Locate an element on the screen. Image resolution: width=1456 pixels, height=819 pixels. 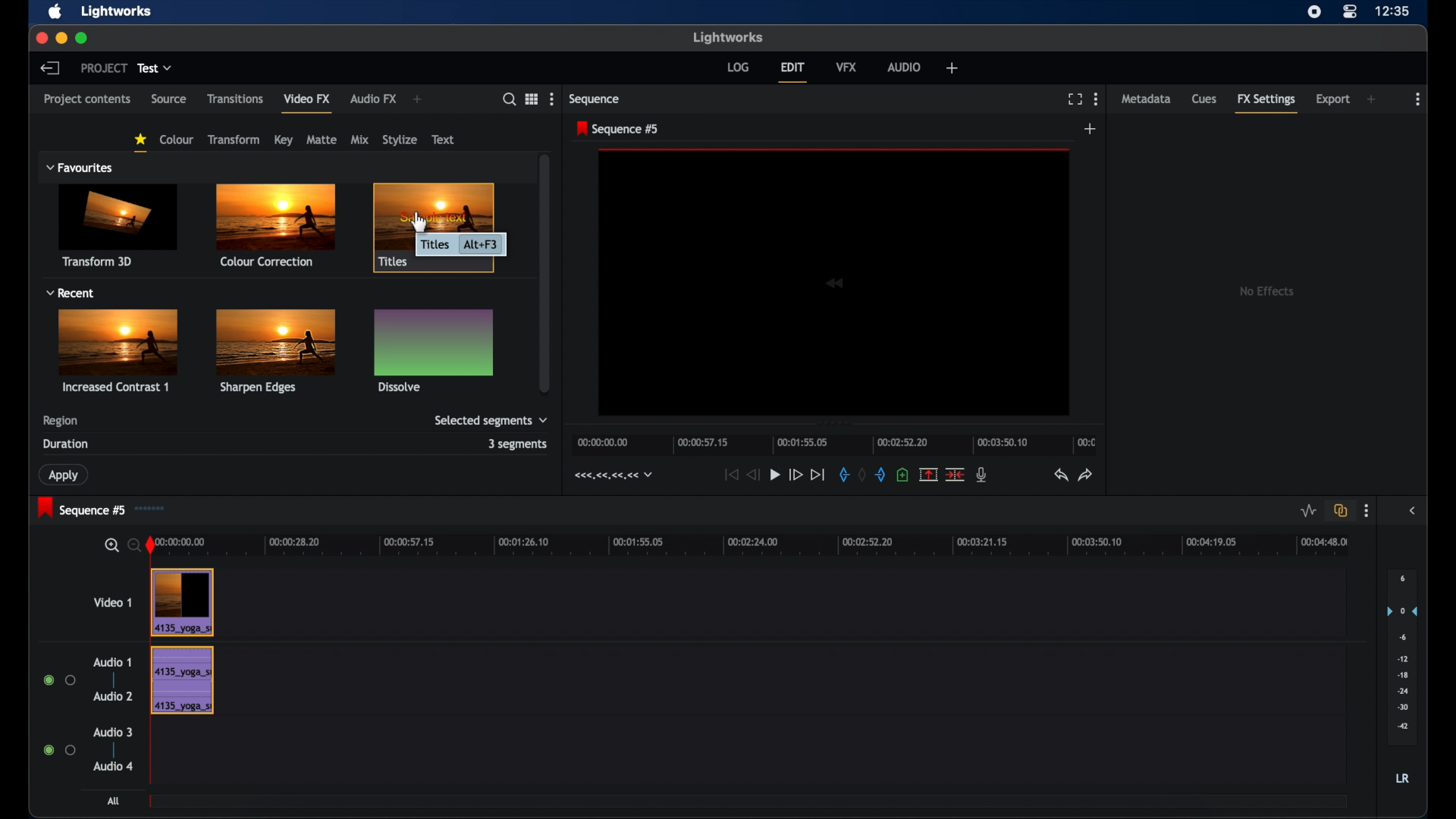
add an in marker is located at coordinates (843, 475).